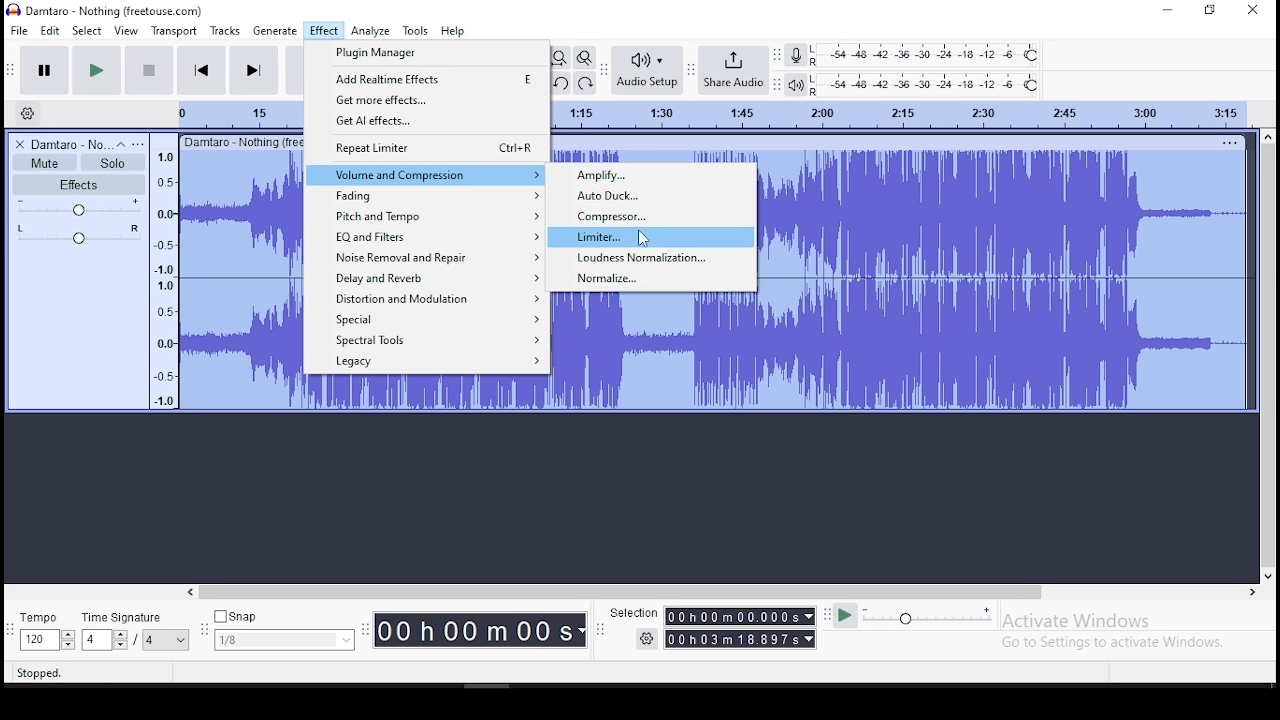 The height and width of the screenshot is (720, 1280). I want to click on cursor, so click(643, 237).